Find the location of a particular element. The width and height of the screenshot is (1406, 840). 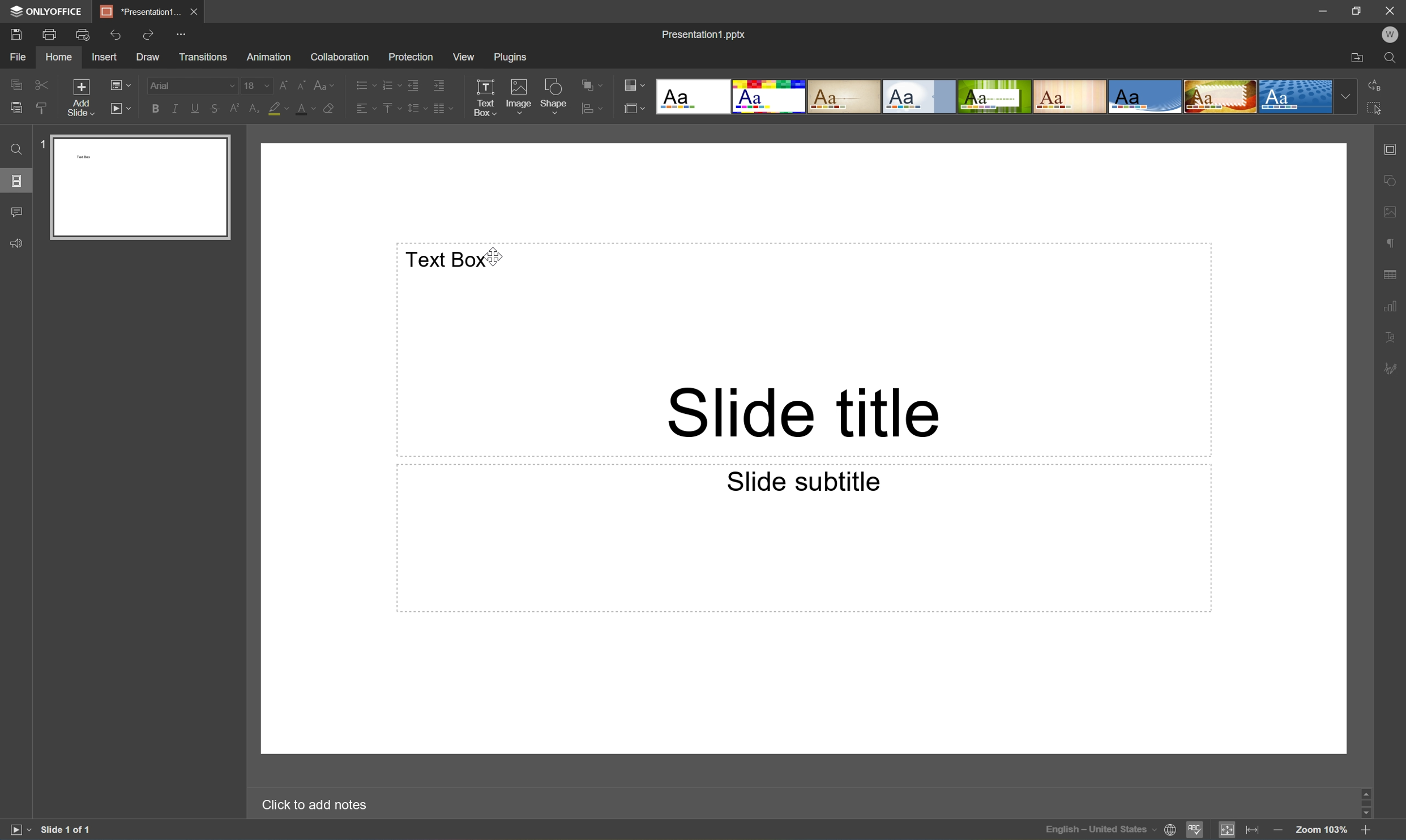

Plugins is located at coordinates (511, 57).